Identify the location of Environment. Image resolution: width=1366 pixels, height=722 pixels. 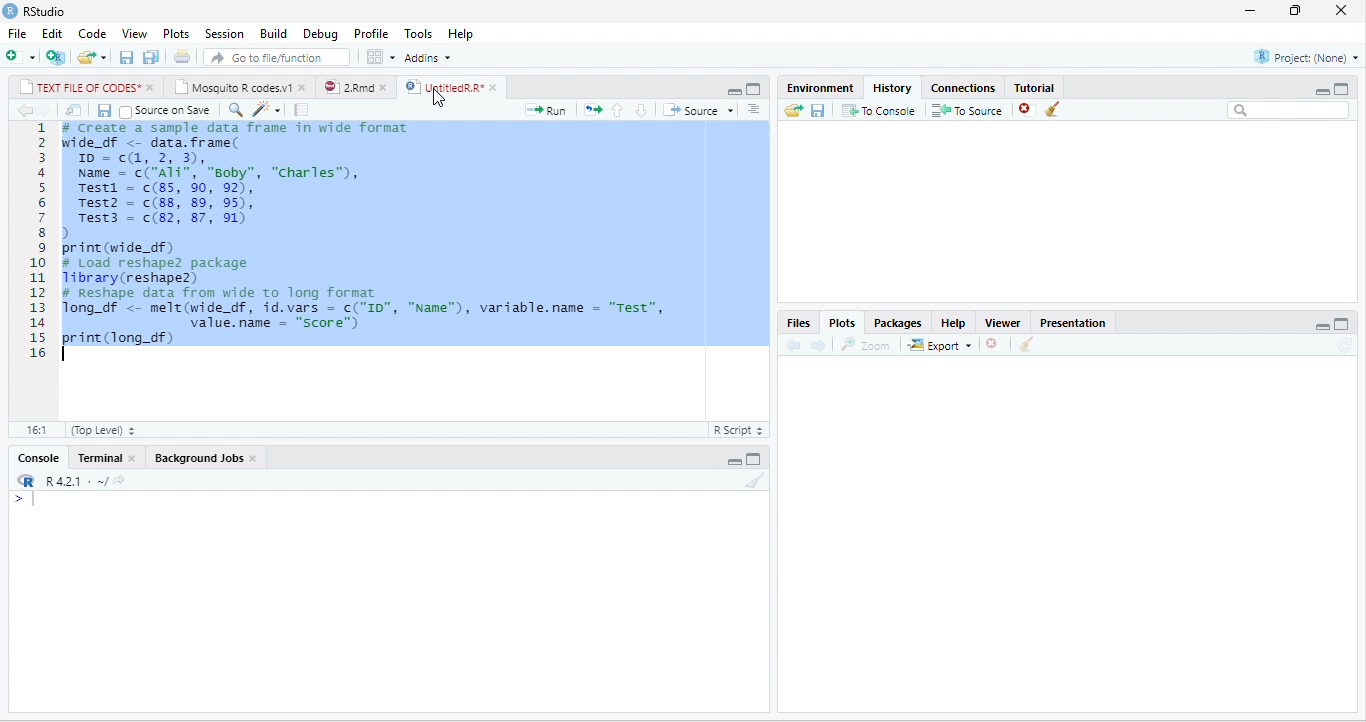
(819, 88).